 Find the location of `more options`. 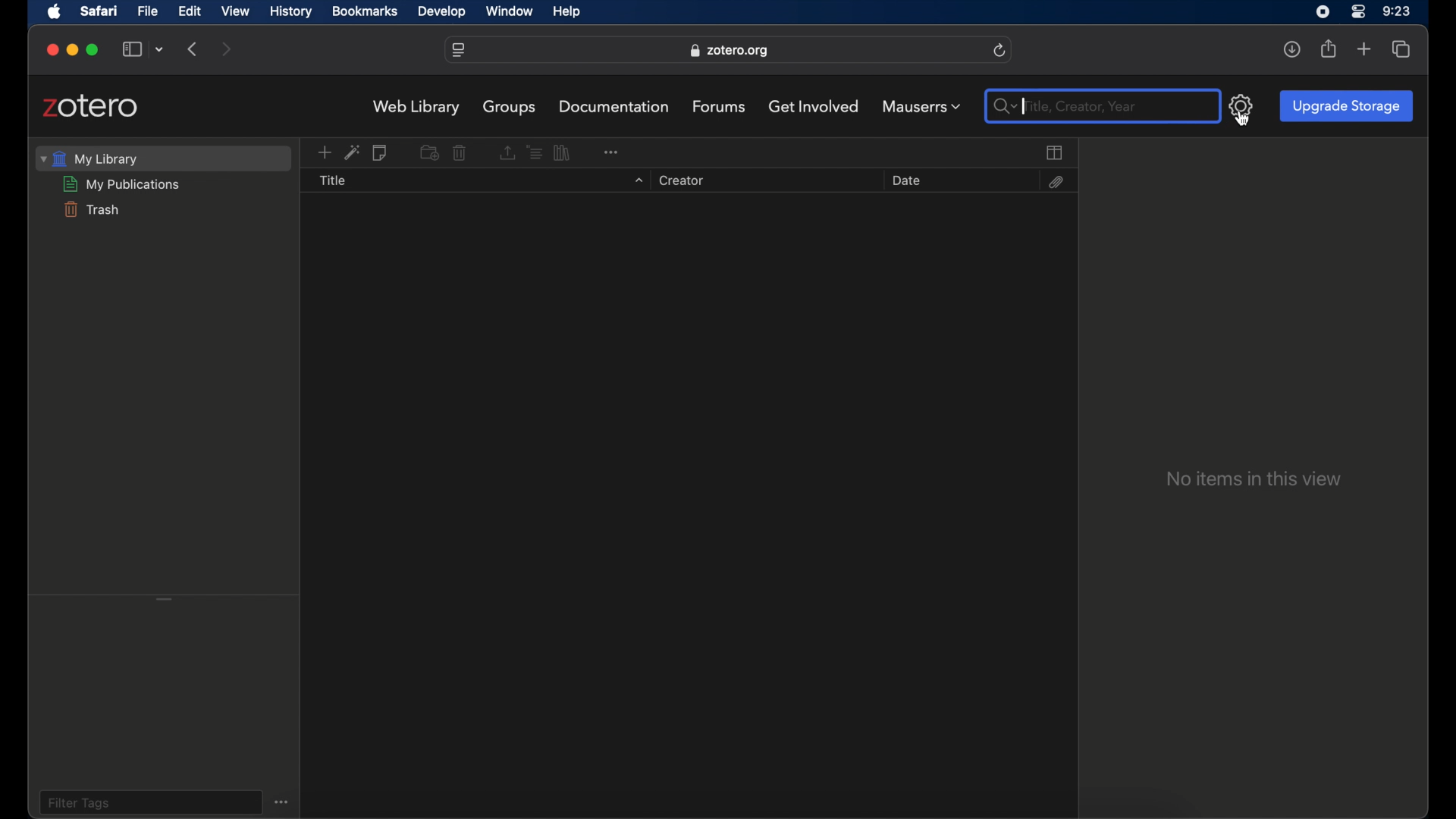

more options is located at coordinates (284, 801).